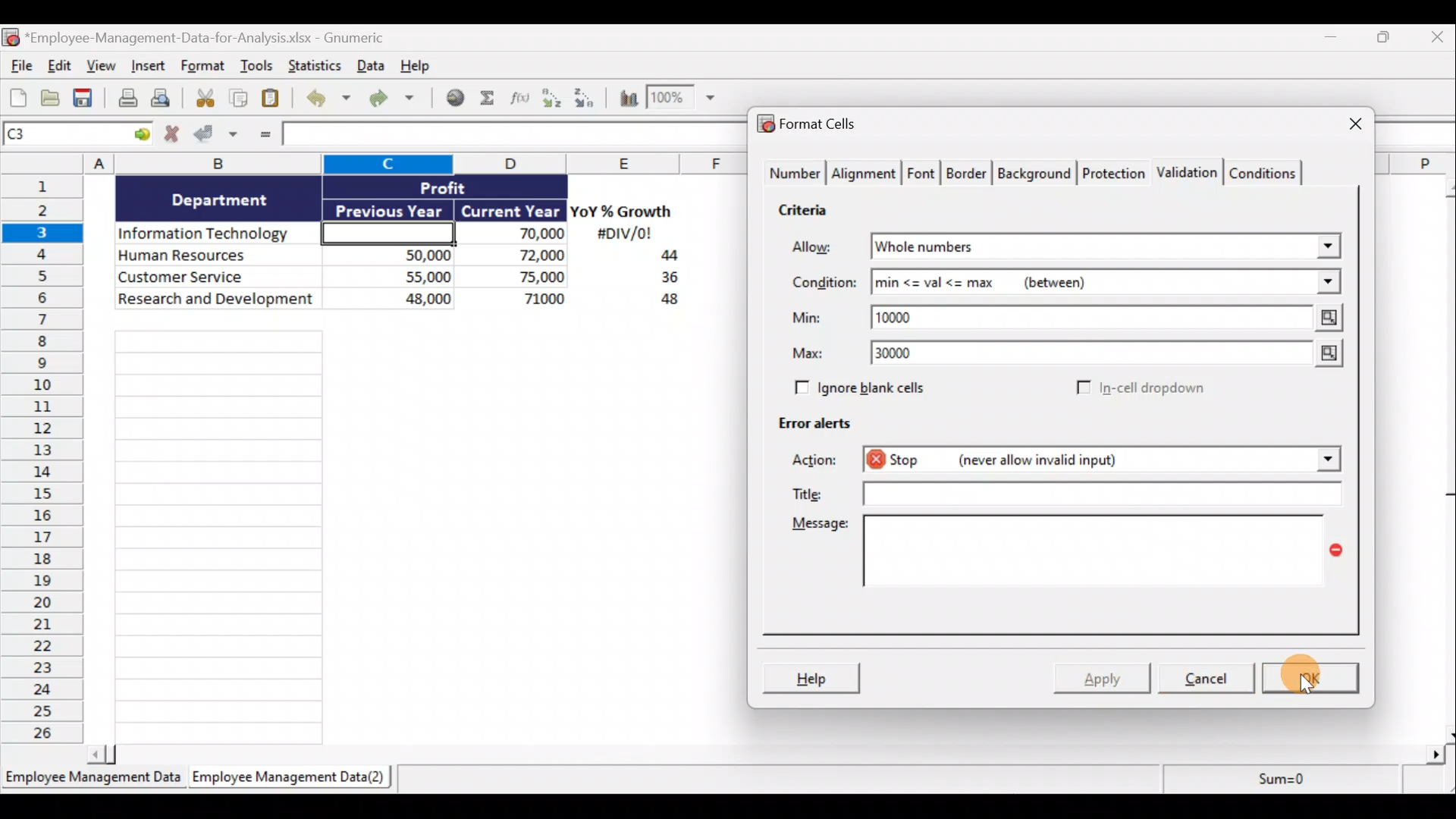 Image resolution: width=1456 pixels, height=819 pixels. I want to click on Protection, so click(1113, 171).